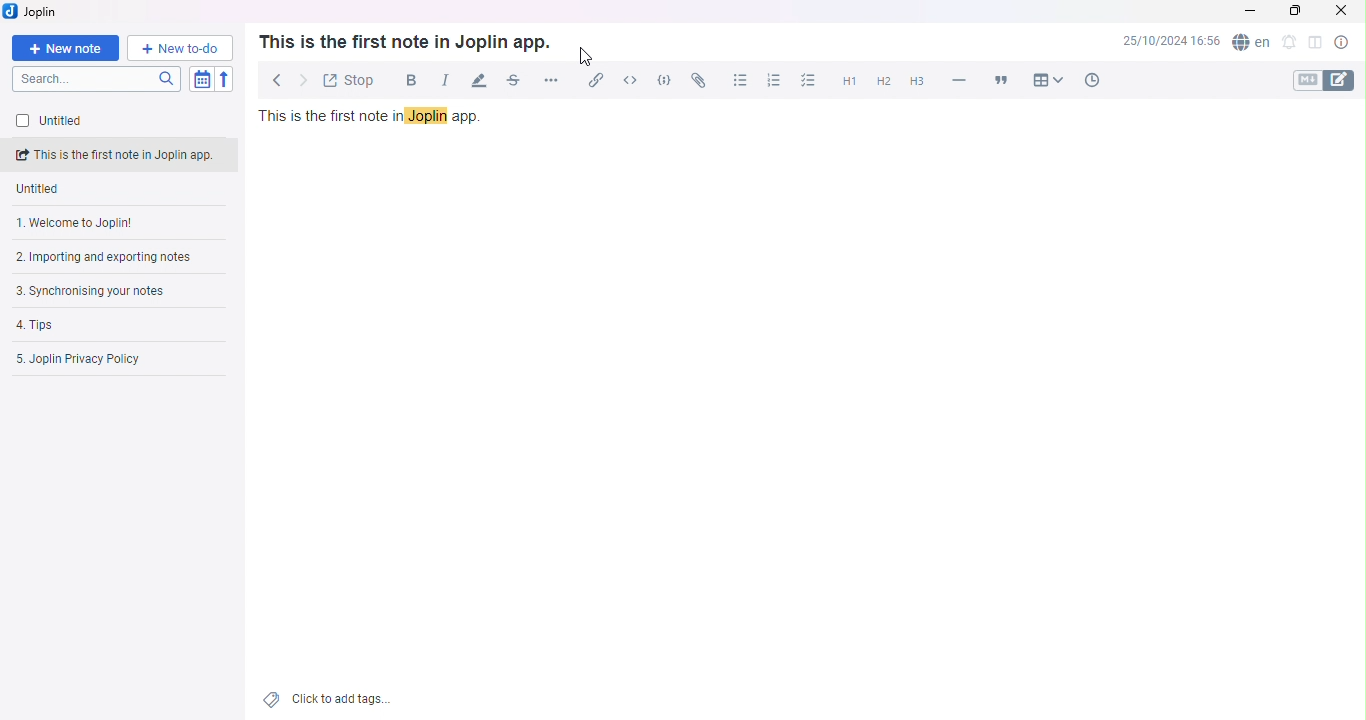 This screenshot has height=720, width=1366. What do you see at coordinates (1342, 43) in the screenshot?
I see `Note properties` at bounding box center [1342, 43].